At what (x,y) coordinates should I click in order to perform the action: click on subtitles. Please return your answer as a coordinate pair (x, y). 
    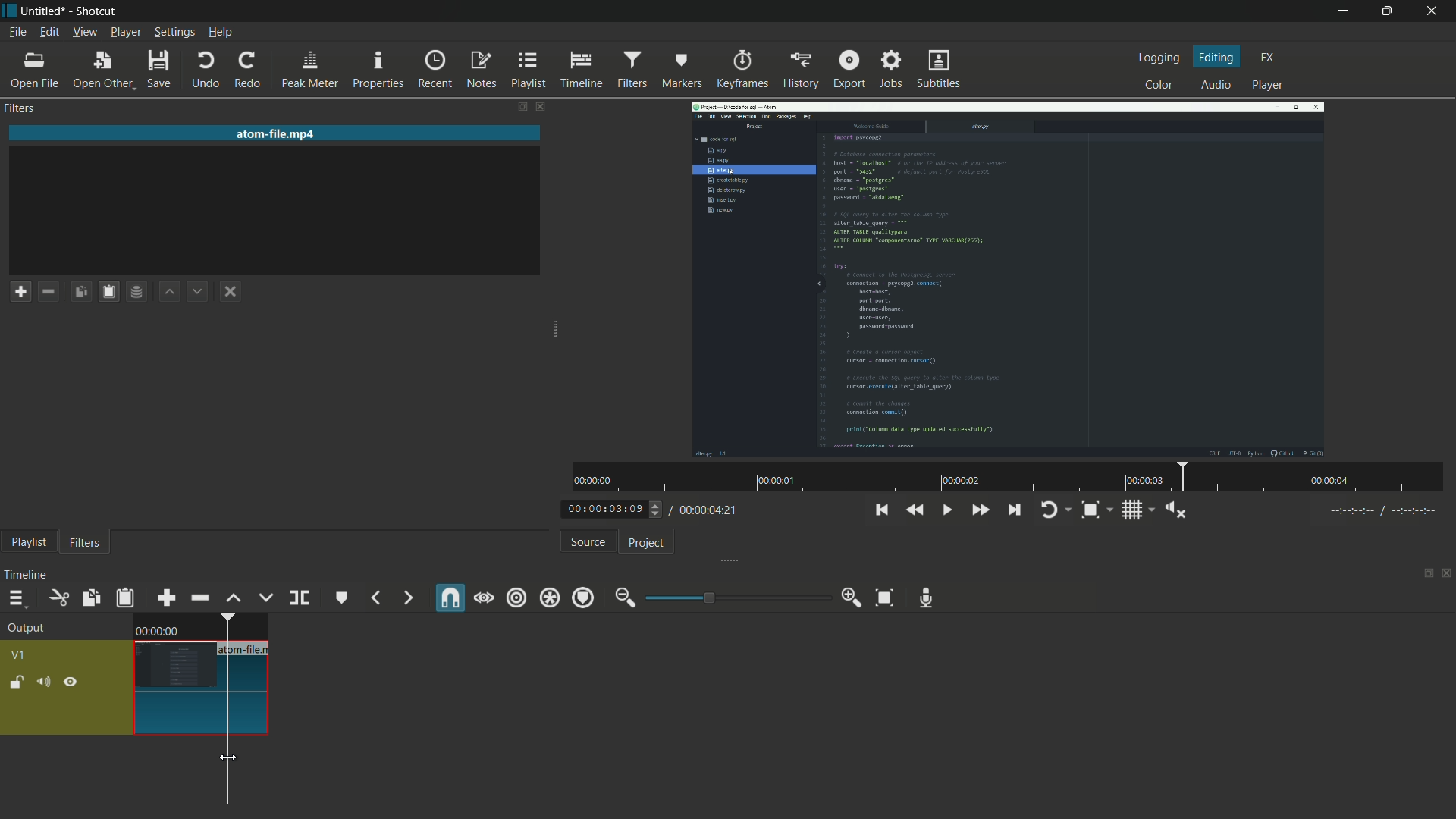
    Looking at the image, I should click on (939, 69).